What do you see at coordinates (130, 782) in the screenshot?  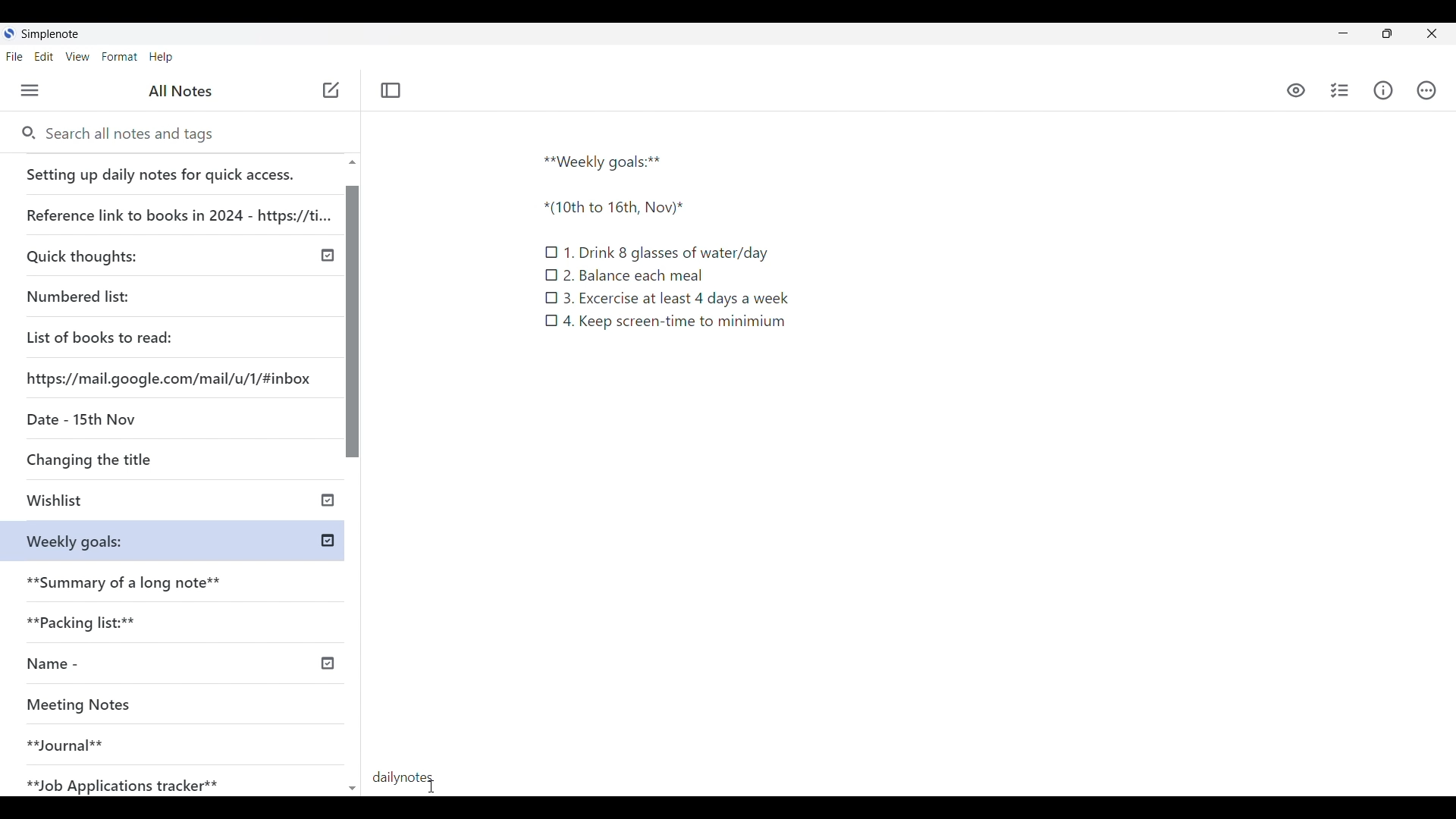 I see `Job Application tracker` at bounding box center [130, 782].